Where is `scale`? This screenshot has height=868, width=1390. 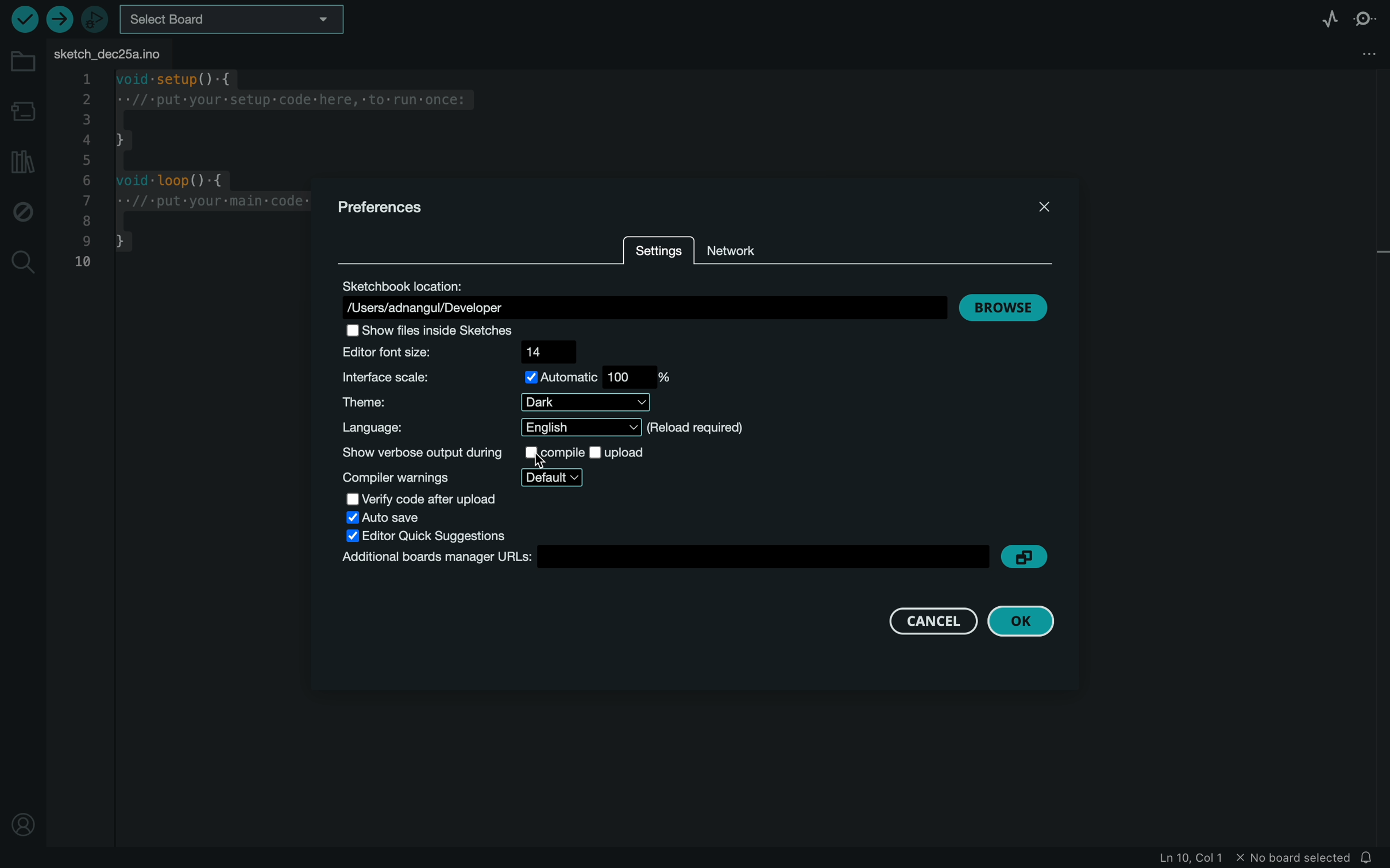
scale is located at coordinates (517, 375).